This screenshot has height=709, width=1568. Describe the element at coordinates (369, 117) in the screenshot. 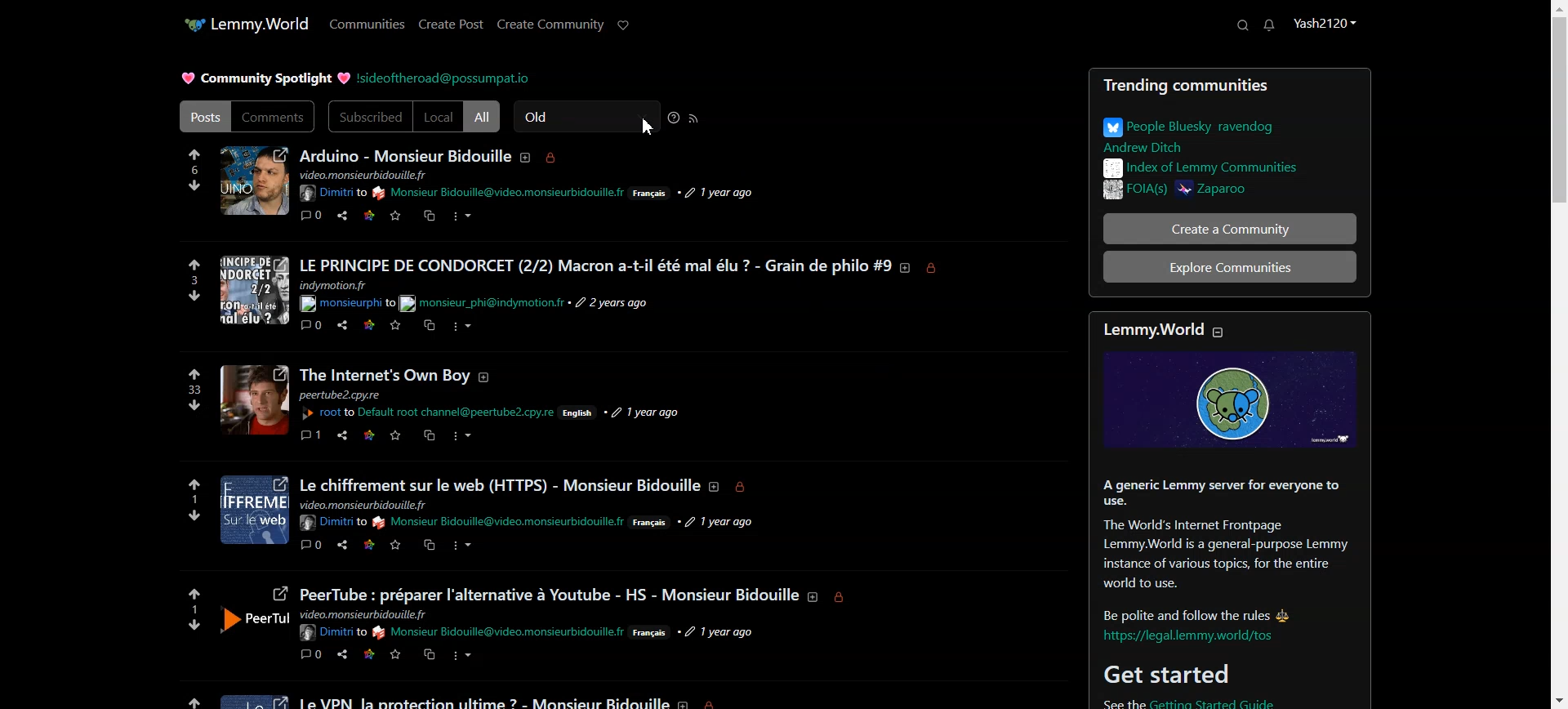

I see `Subscribed` at that location.